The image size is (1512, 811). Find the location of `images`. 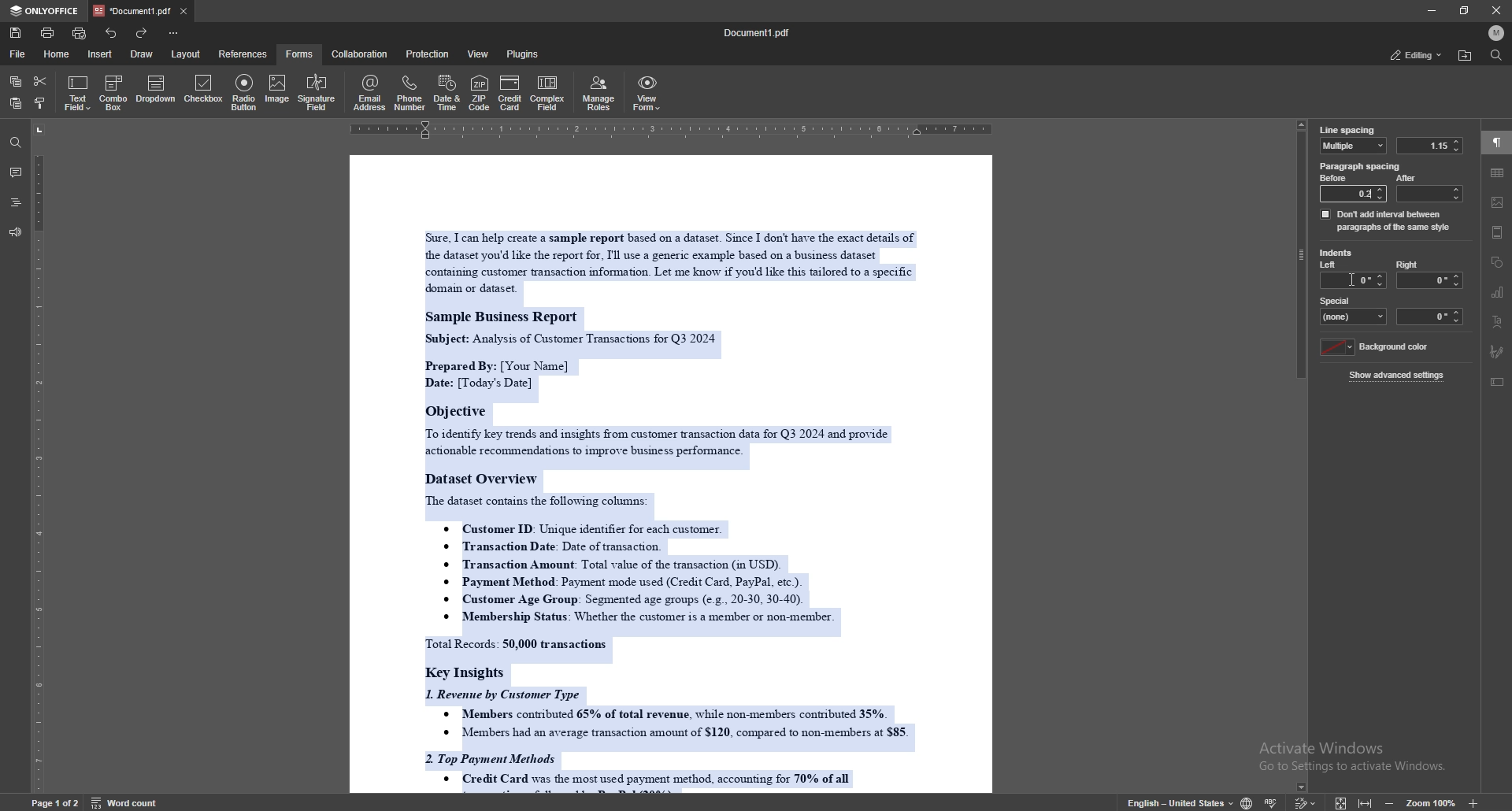

images is located at coordinates (1498, 202).